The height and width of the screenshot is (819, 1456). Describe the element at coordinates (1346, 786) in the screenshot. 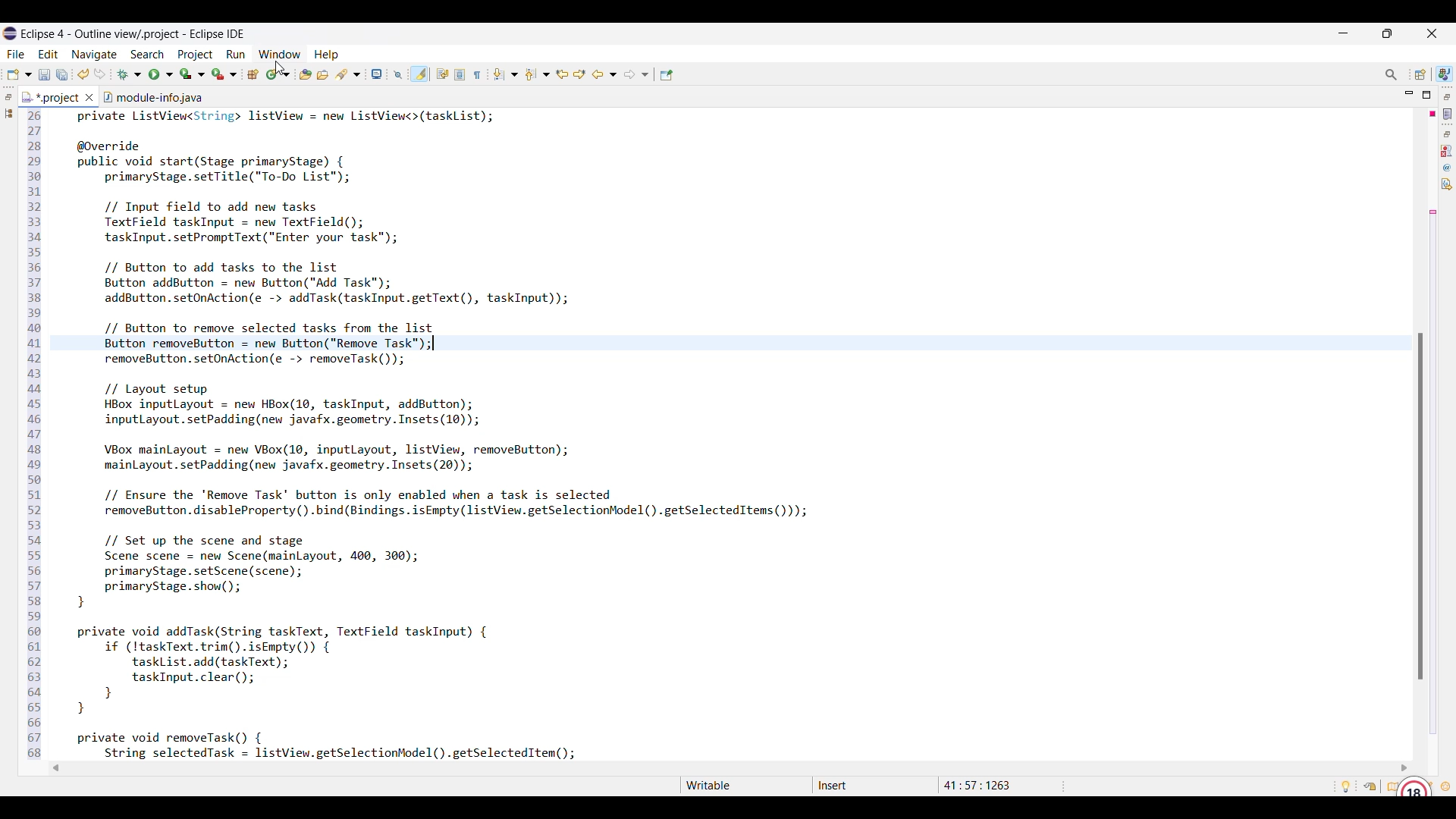

I see `Tip of the day` at that location.